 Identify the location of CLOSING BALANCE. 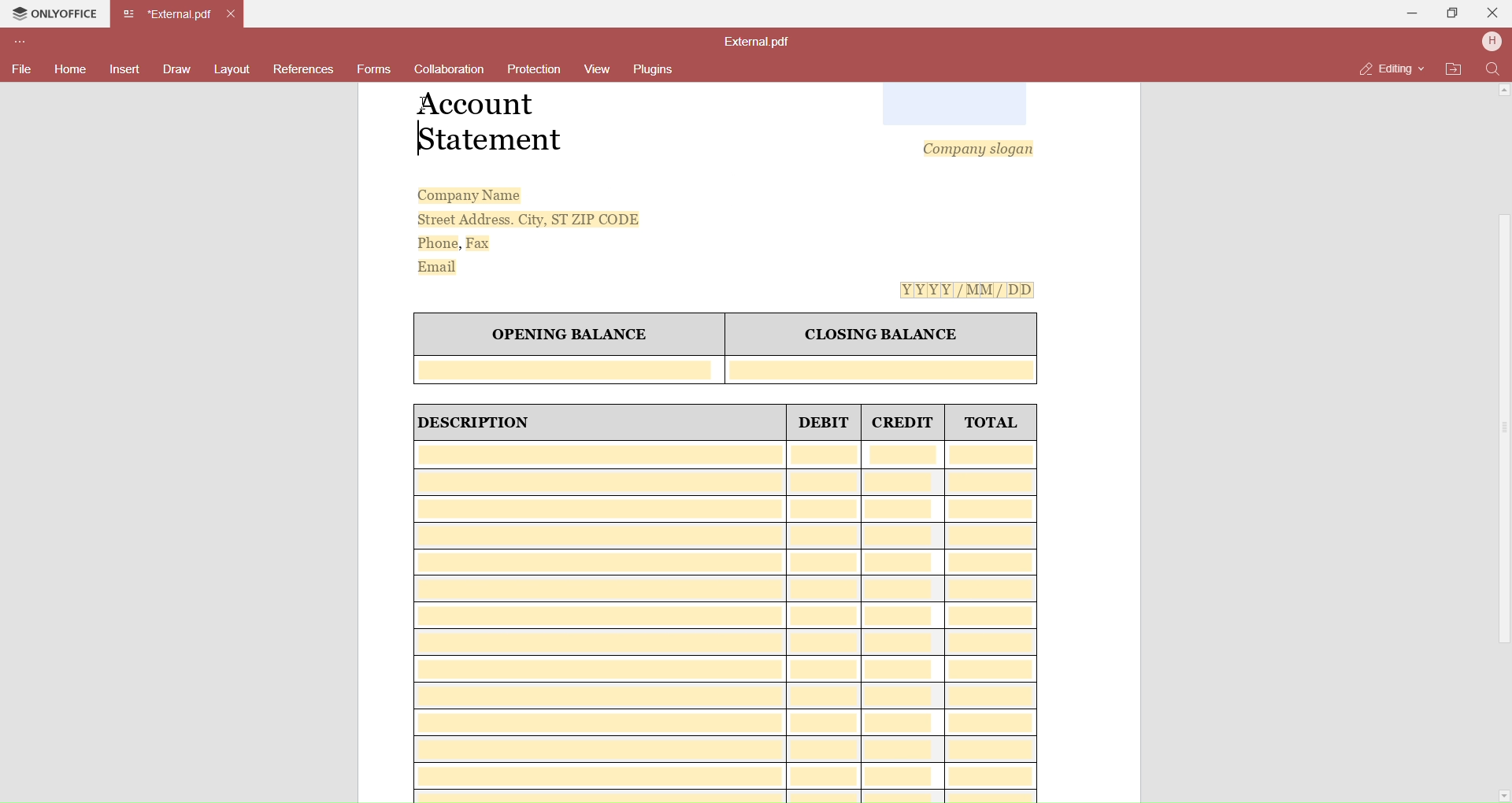
(882, 336).